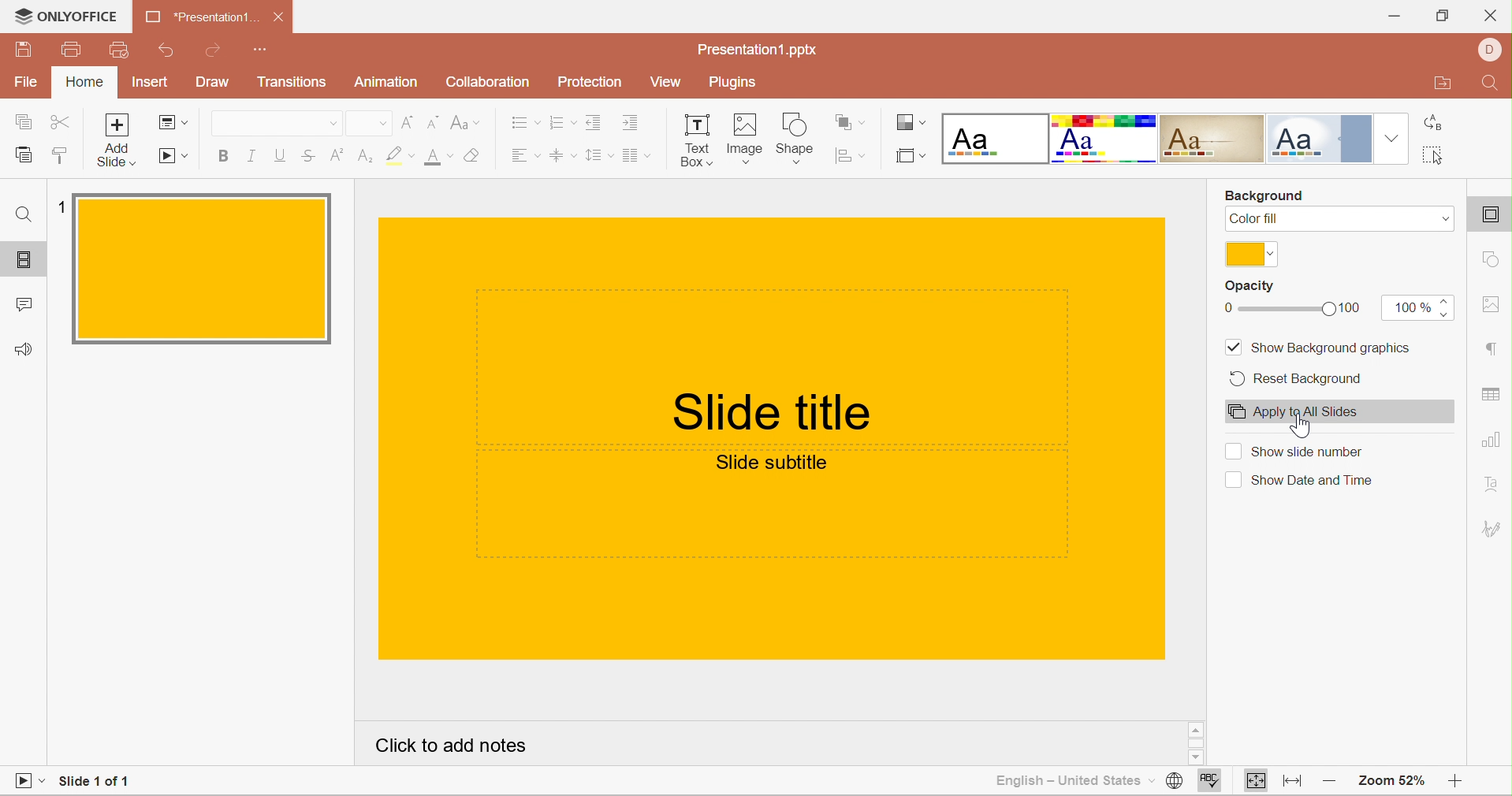  What do you see at coordinates (1495, 262) in the screenshot?
I see `shape settings` at bounding box center [1495, 262].